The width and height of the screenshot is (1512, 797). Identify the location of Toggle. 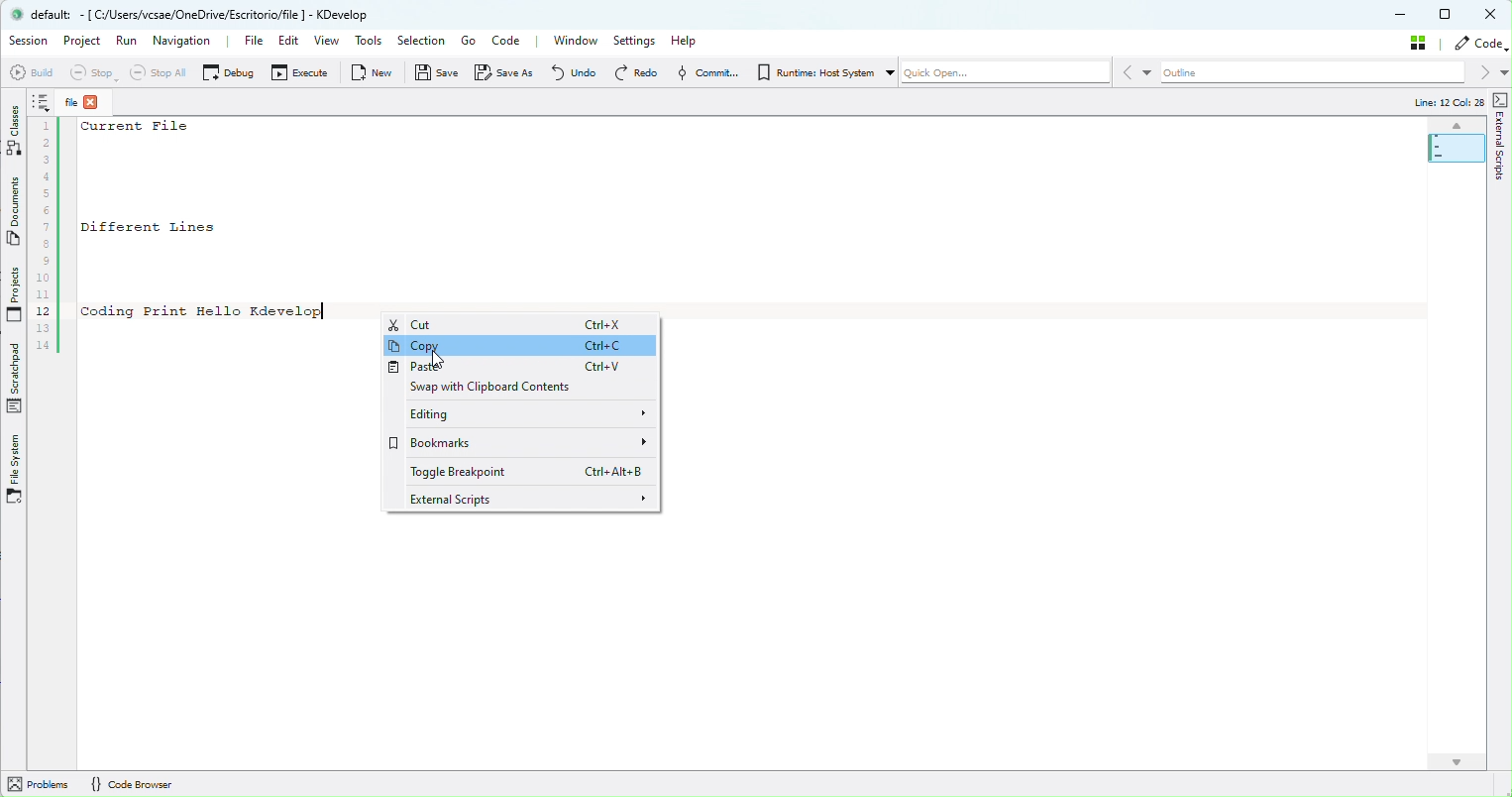
(519, 473).